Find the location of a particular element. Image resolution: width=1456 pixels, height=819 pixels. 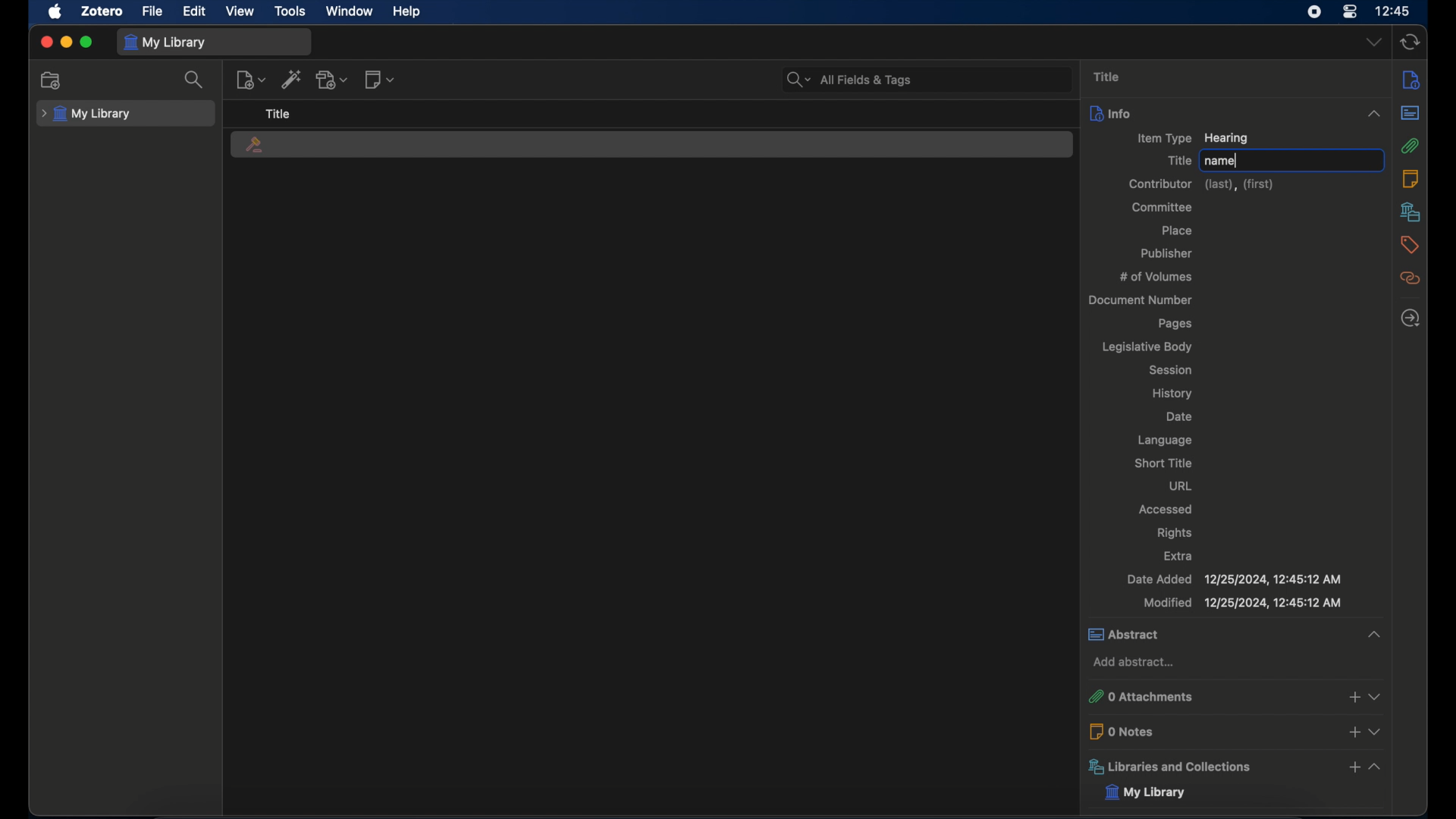

contributor is located at coordinates (1202, 184).